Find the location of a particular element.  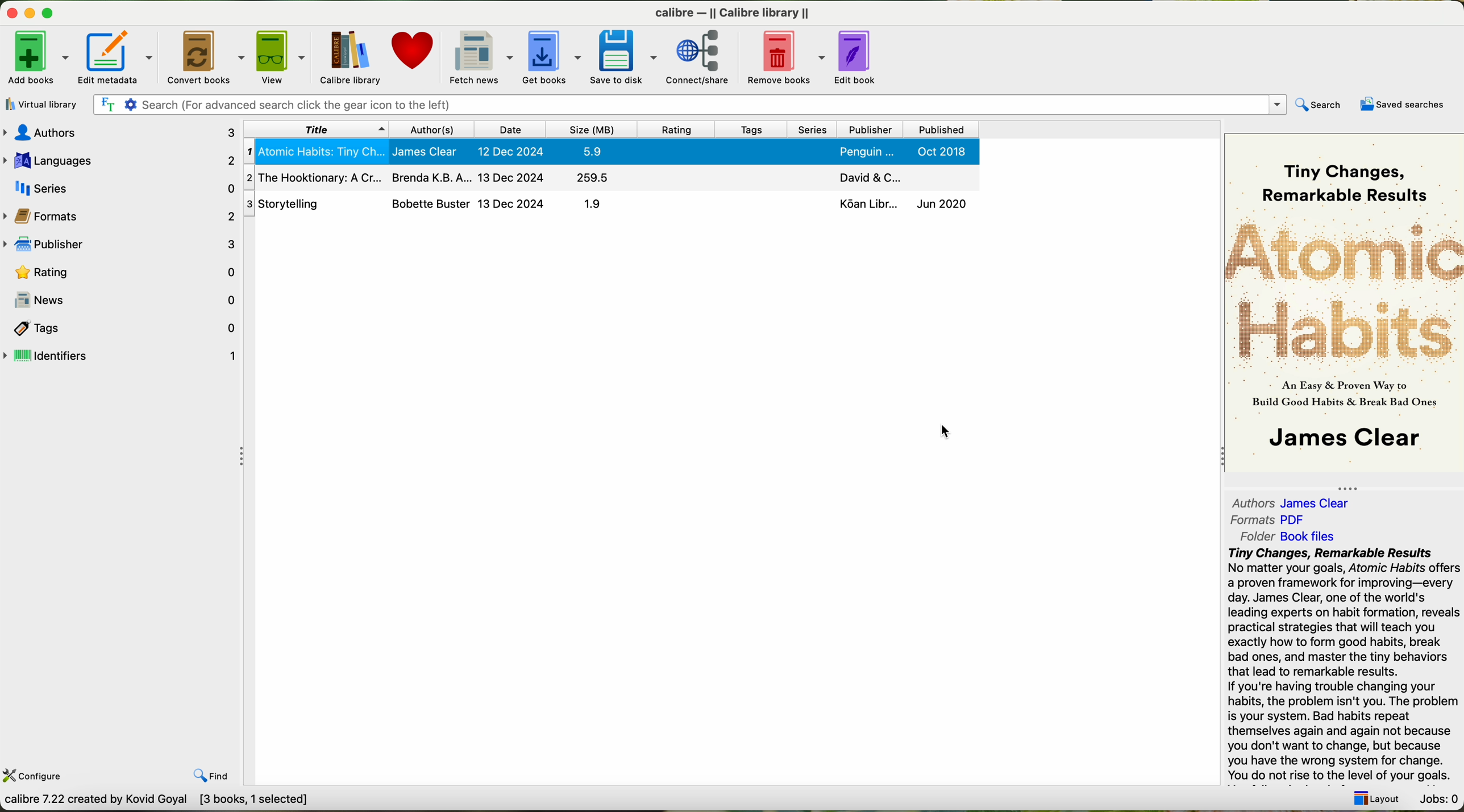

1| Atomic Habits: Tiny Ch... James Clear 12 Dec 2024 5.9 is located at coordinates (431, 153).